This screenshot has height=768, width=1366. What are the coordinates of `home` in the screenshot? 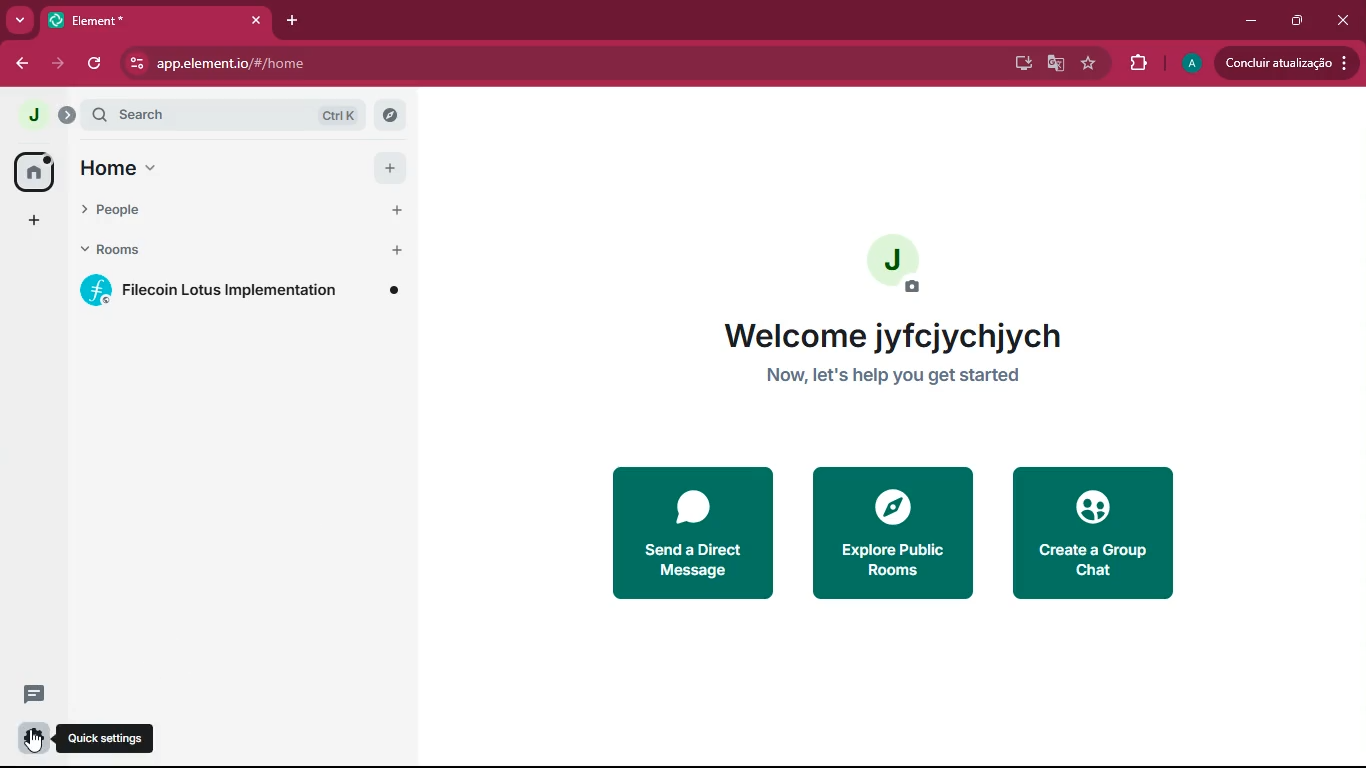 It's located at (193, 171).